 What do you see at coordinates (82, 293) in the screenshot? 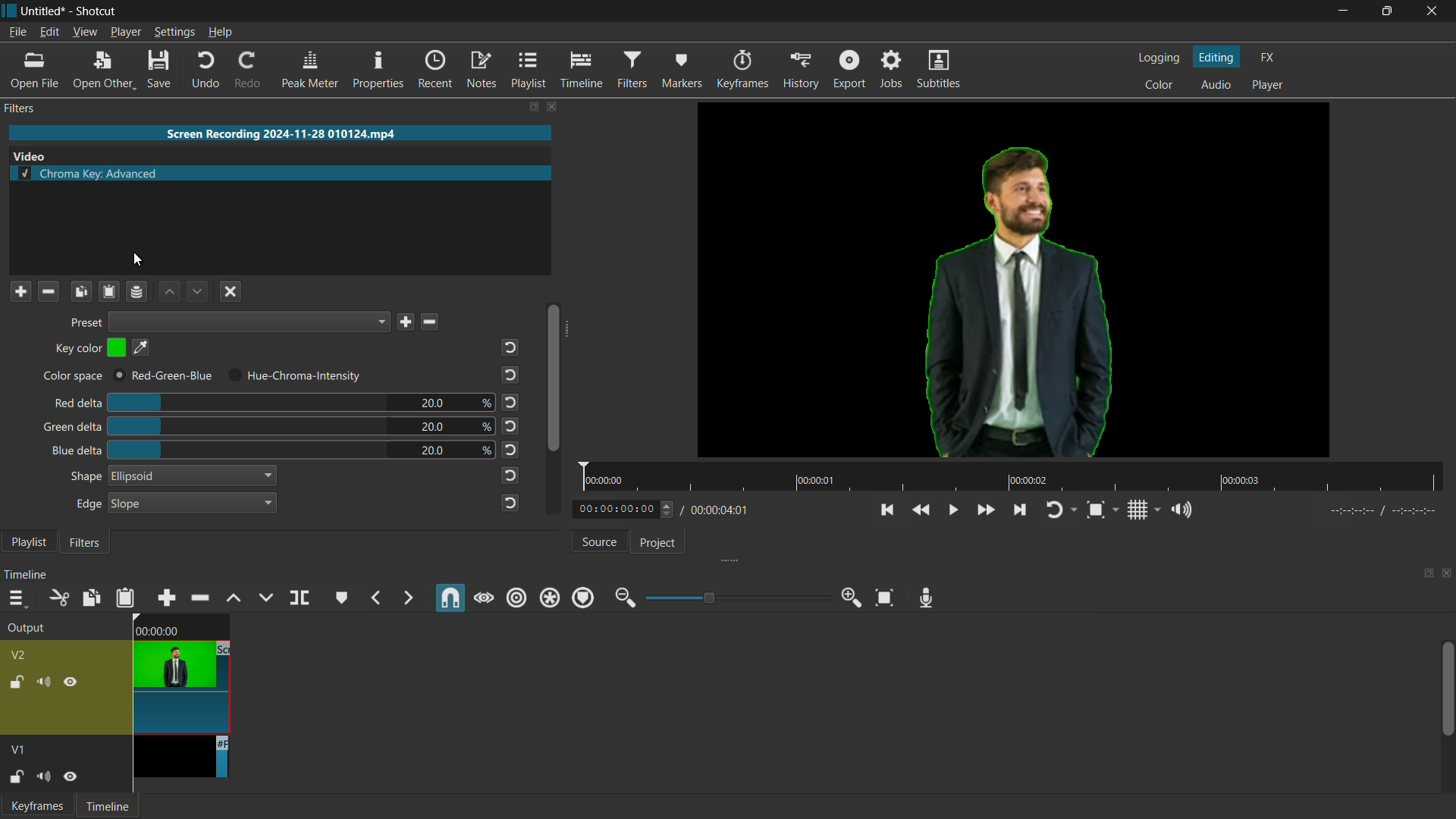
I see `Copy` at bounding box center [82, 293].